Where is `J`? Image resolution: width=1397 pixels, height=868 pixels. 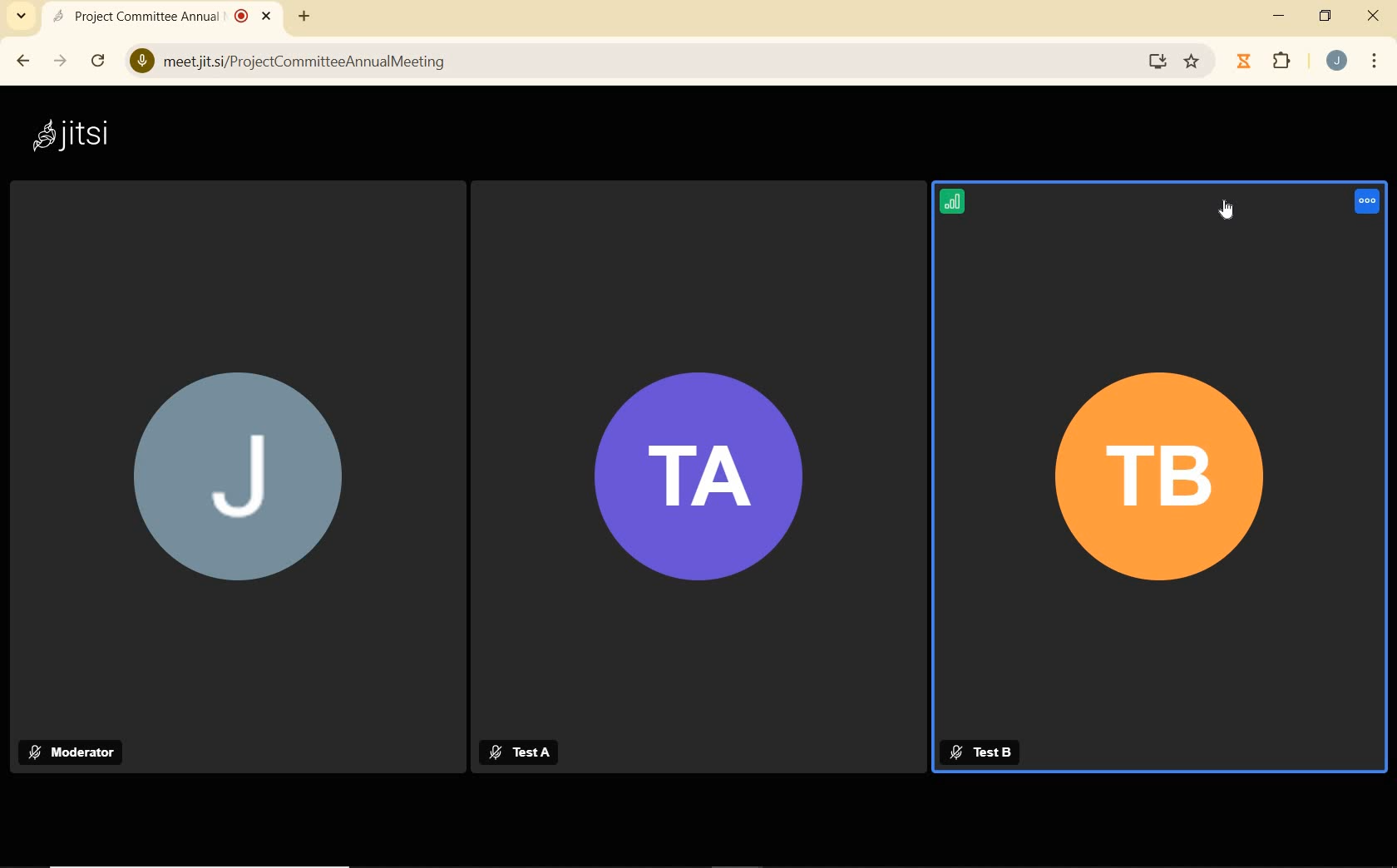
J is located at coordinates (246, 494).